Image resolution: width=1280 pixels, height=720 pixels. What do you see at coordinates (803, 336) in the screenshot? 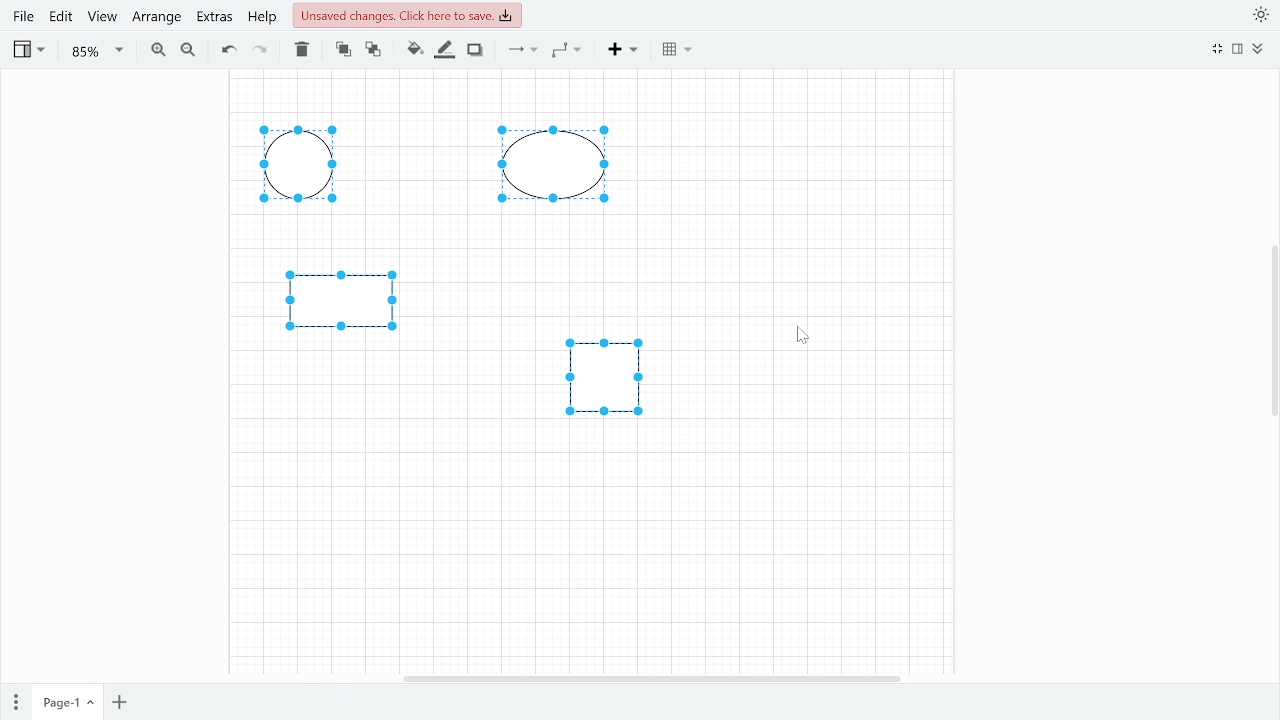
I see `Pointer` at bounding box center [803, 336].